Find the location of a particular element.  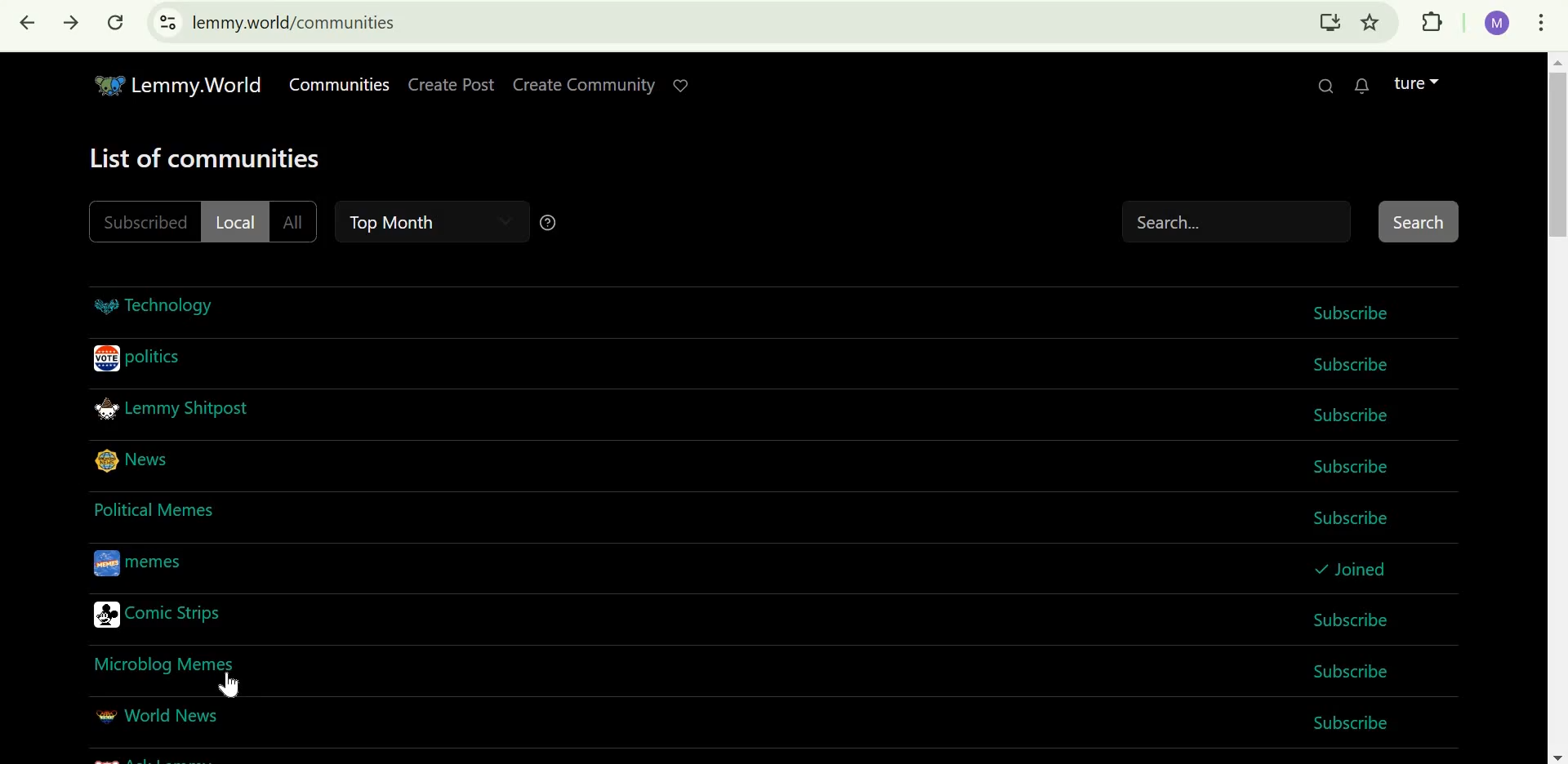

world news is located at coordinates (156, 717).